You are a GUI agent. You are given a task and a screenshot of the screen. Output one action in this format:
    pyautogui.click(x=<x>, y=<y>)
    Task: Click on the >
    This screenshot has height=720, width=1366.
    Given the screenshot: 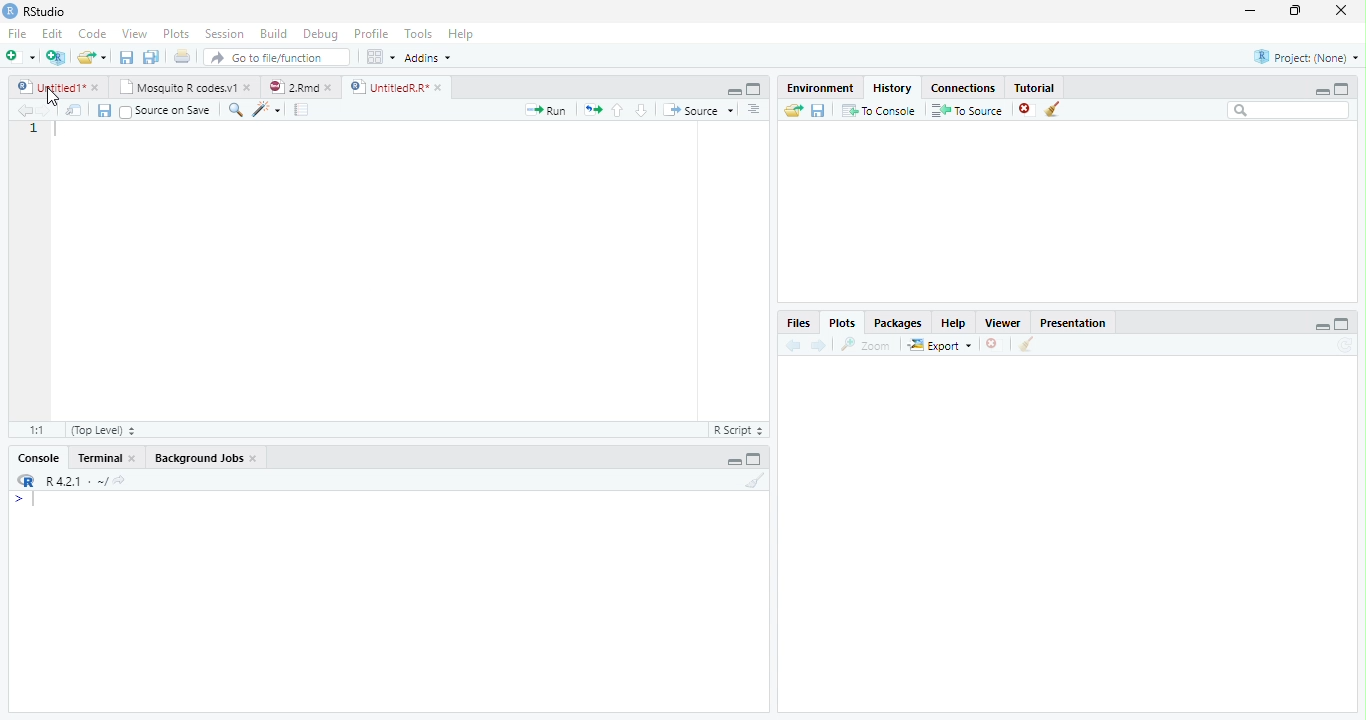 What is the action you would take?
    pyautogui.click(x=24, y=500)
    